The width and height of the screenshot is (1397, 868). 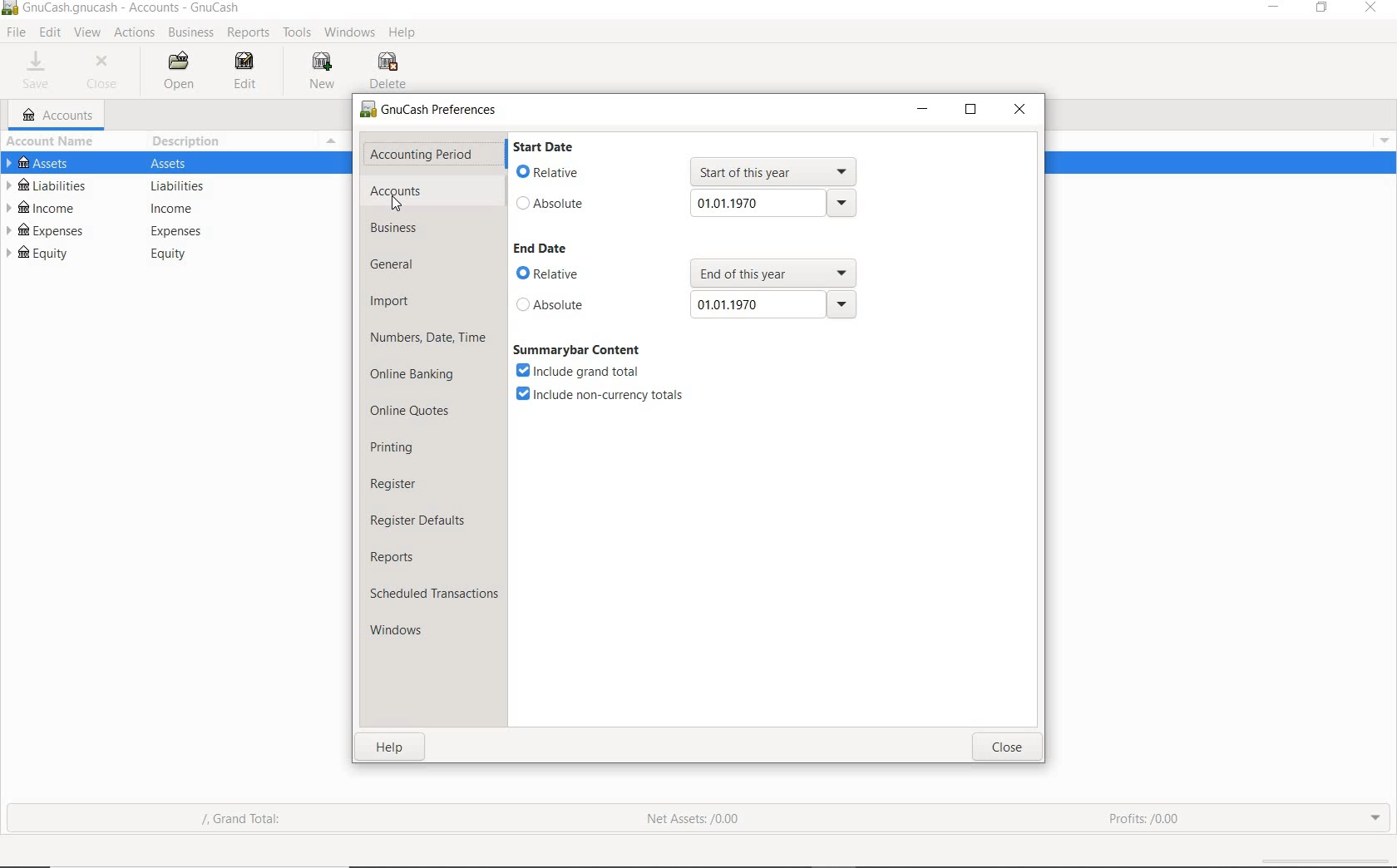 I want to click on , so click(x=190, y=165).